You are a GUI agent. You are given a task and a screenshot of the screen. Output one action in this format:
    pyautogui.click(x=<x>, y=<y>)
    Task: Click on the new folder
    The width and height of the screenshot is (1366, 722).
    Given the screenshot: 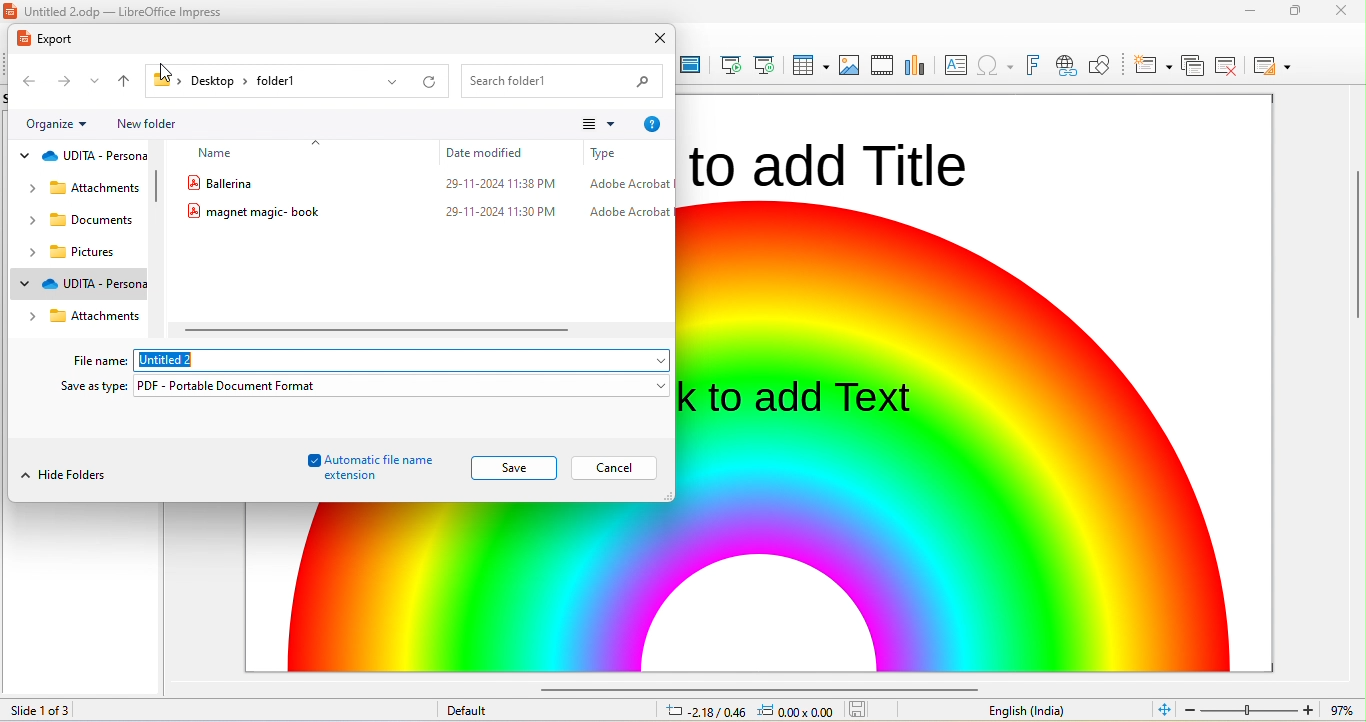 What is the action you would take?
    pyautogui.click(x=153, y=119)
    